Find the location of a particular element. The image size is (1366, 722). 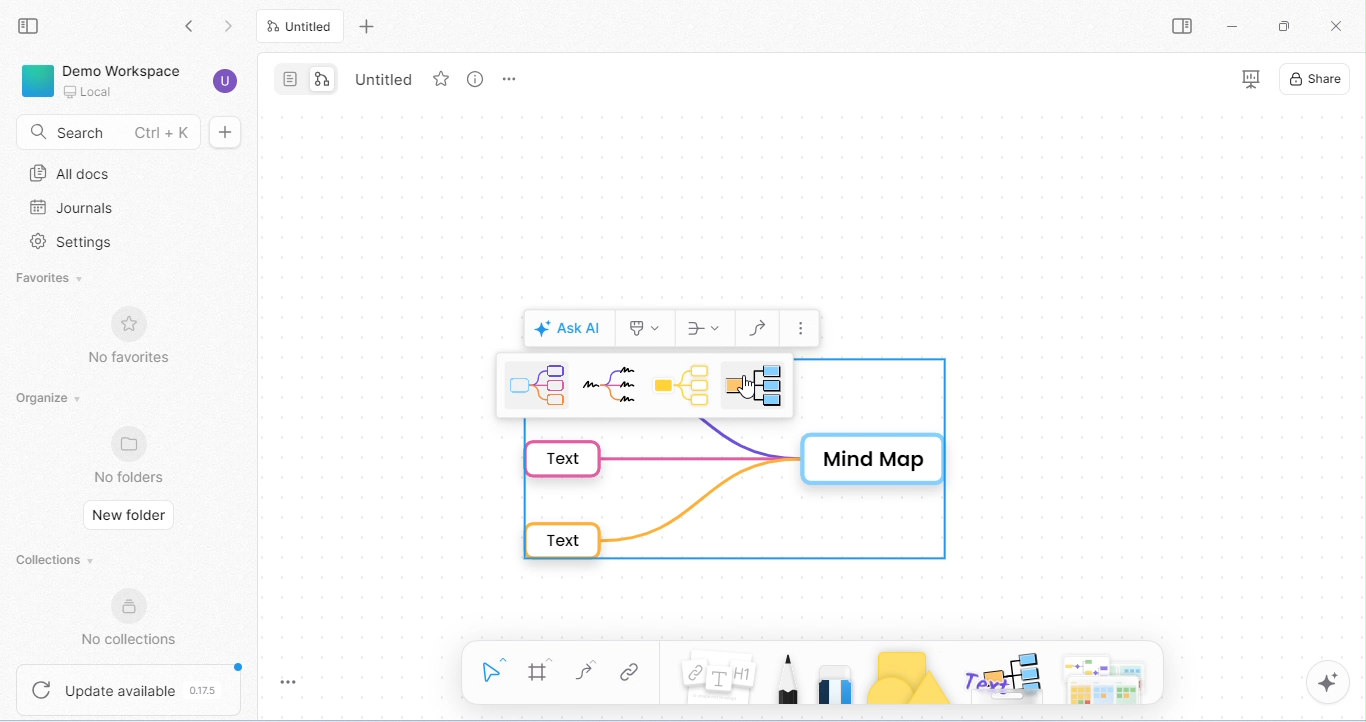

page mode is located at coordinates (289, 79).